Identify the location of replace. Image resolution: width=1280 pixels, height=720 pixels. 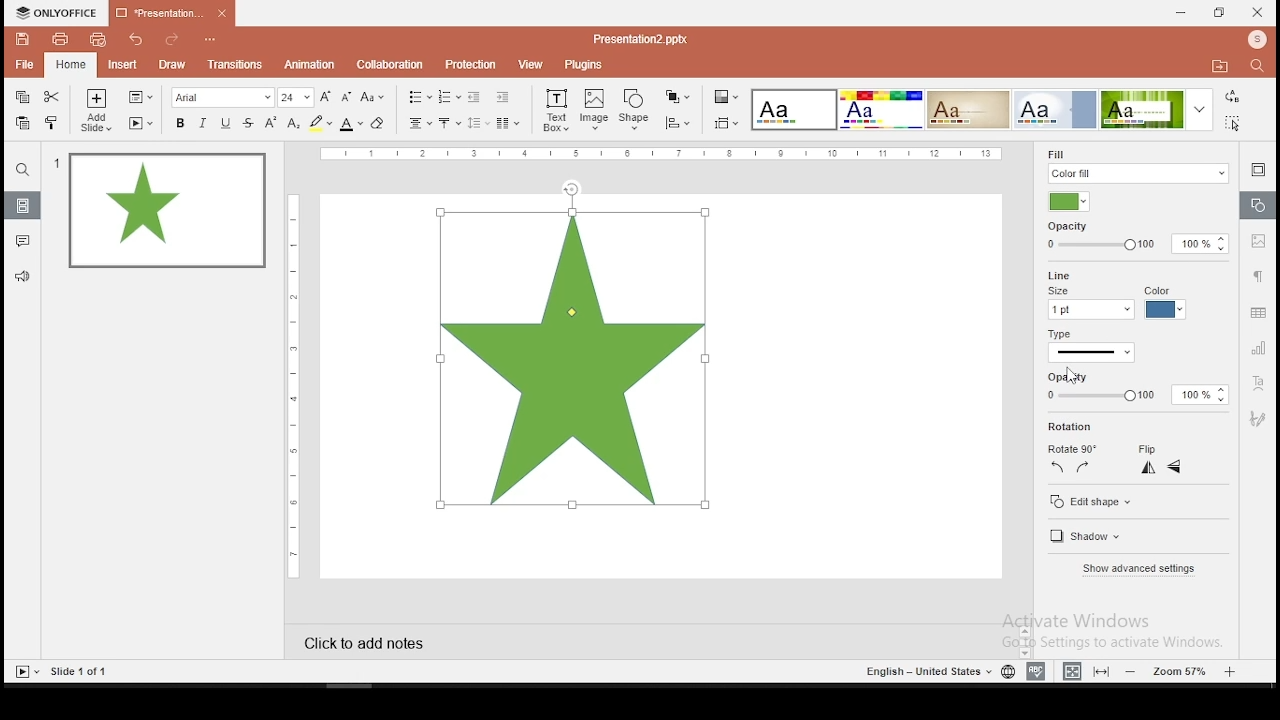
(1233, 97).